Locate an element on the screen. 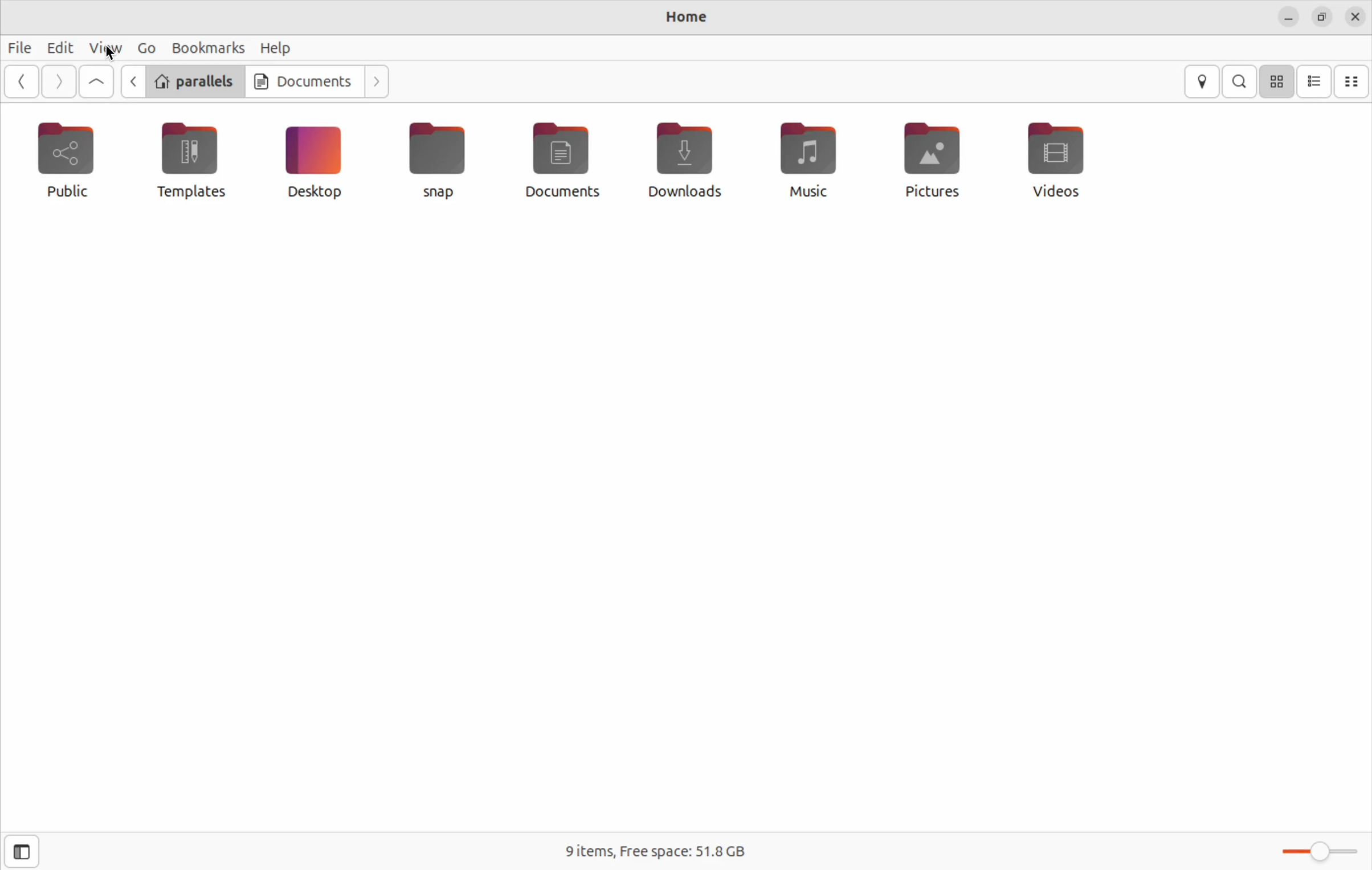  Documents is located at coordinates (307, 80).